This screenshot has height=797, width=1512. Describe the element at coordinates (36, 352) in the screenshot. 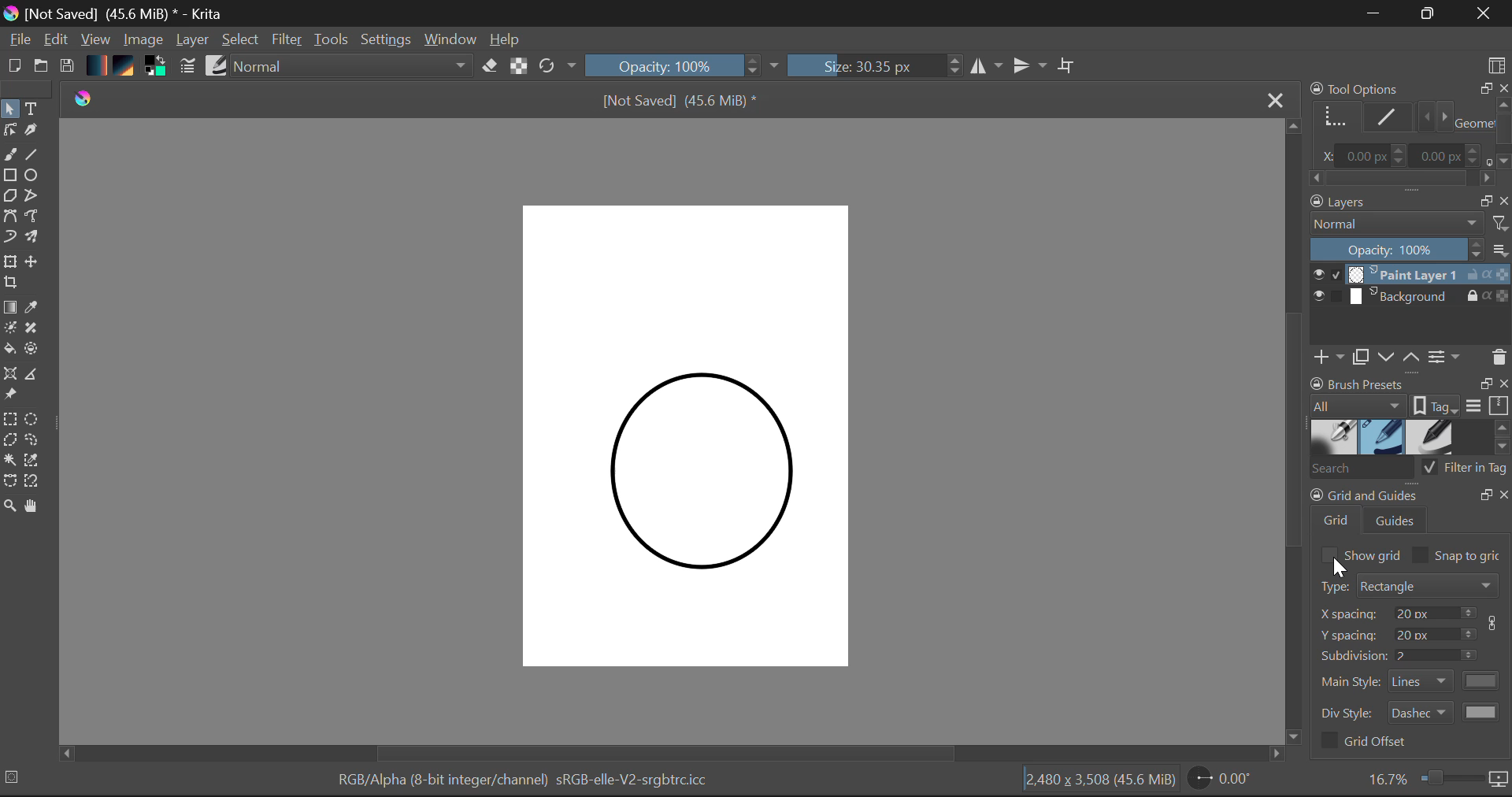

I see `Enclose and Fill` at that location.